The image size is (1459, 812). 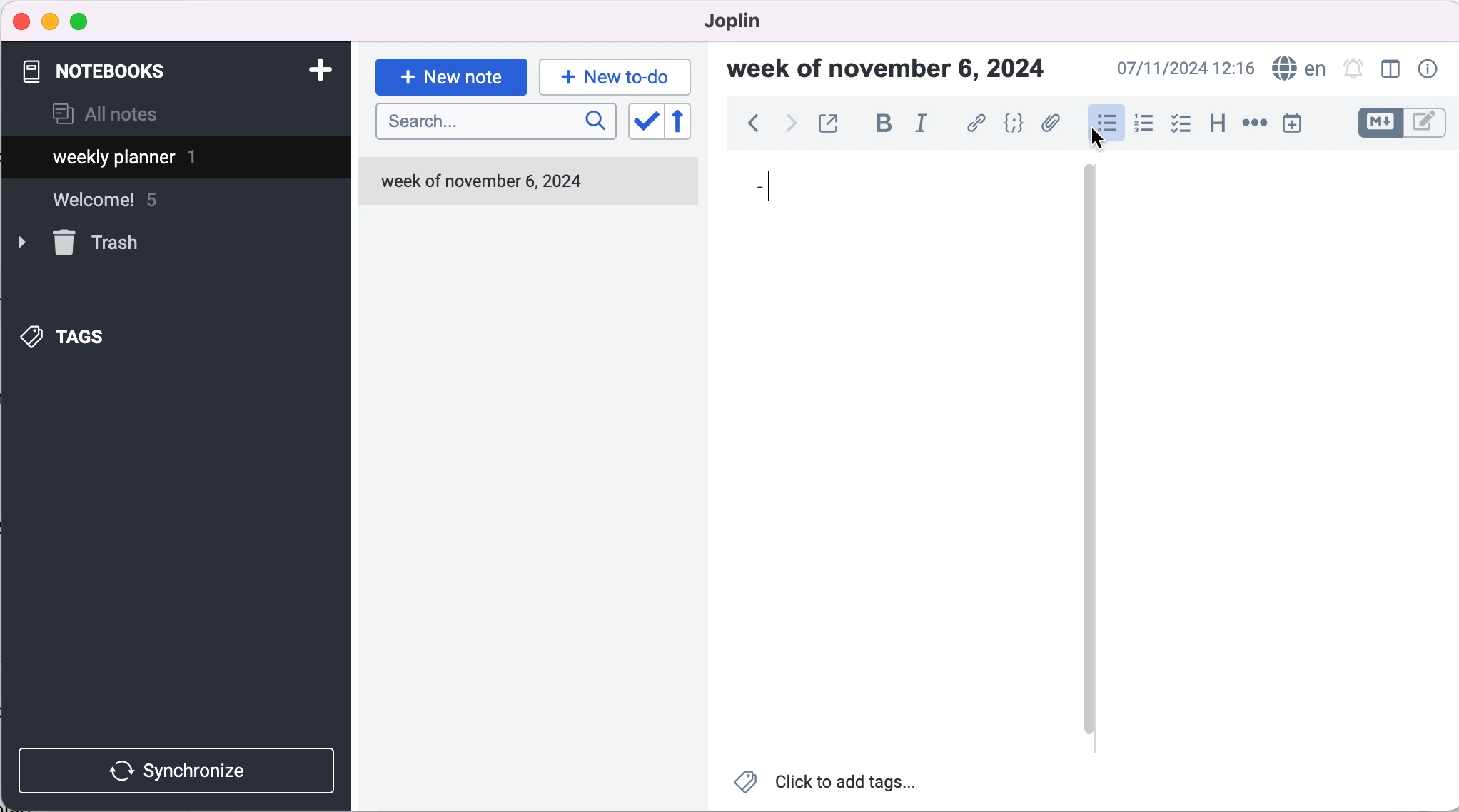 What do you see at coordinates (690, 124) in the screenshot?
I see `reverse sort order` at bounding box center [690, 124].